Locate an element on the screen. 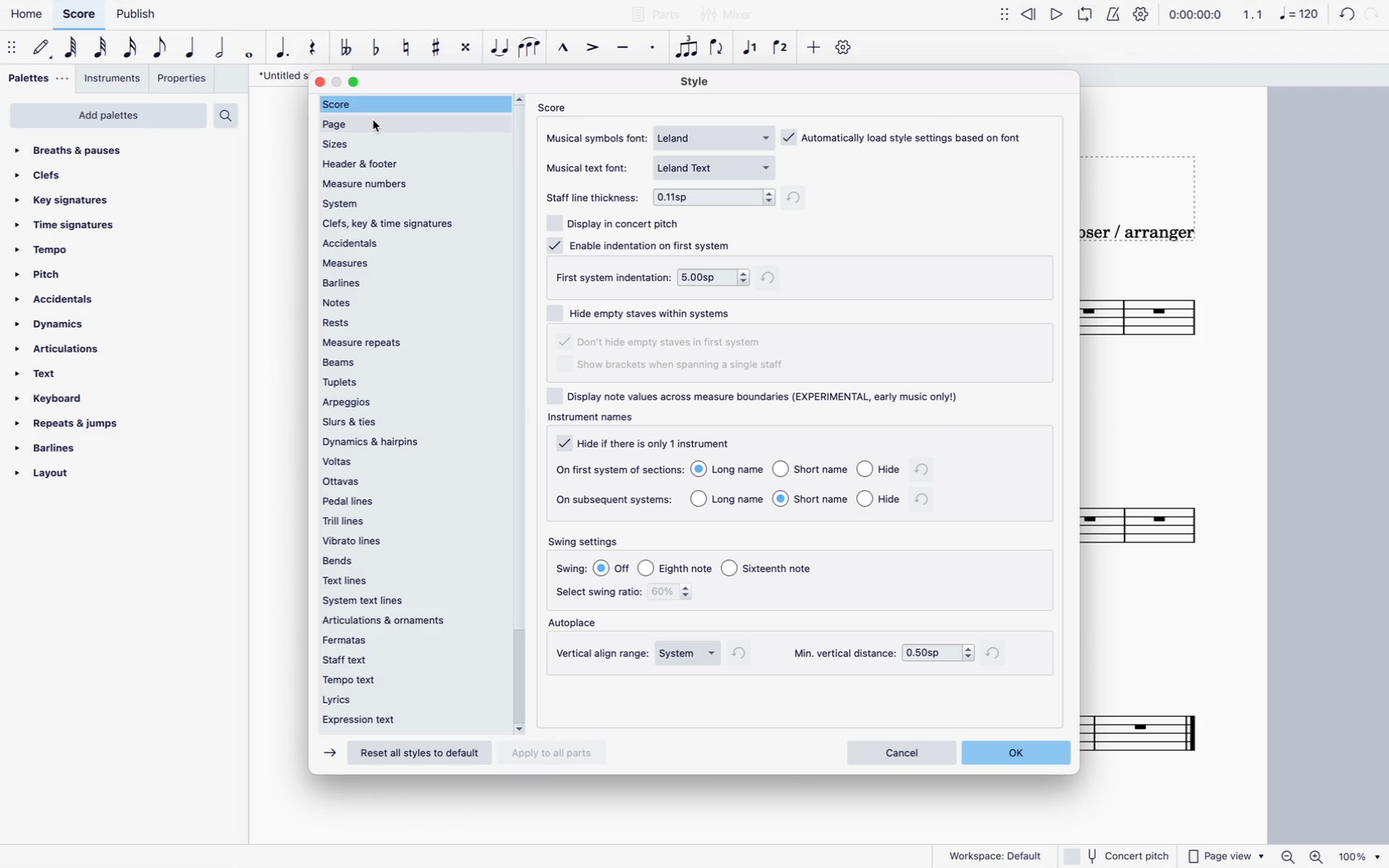 The width and height of the screenshot is (1389, 868). score is located at coordinates (79, 15).